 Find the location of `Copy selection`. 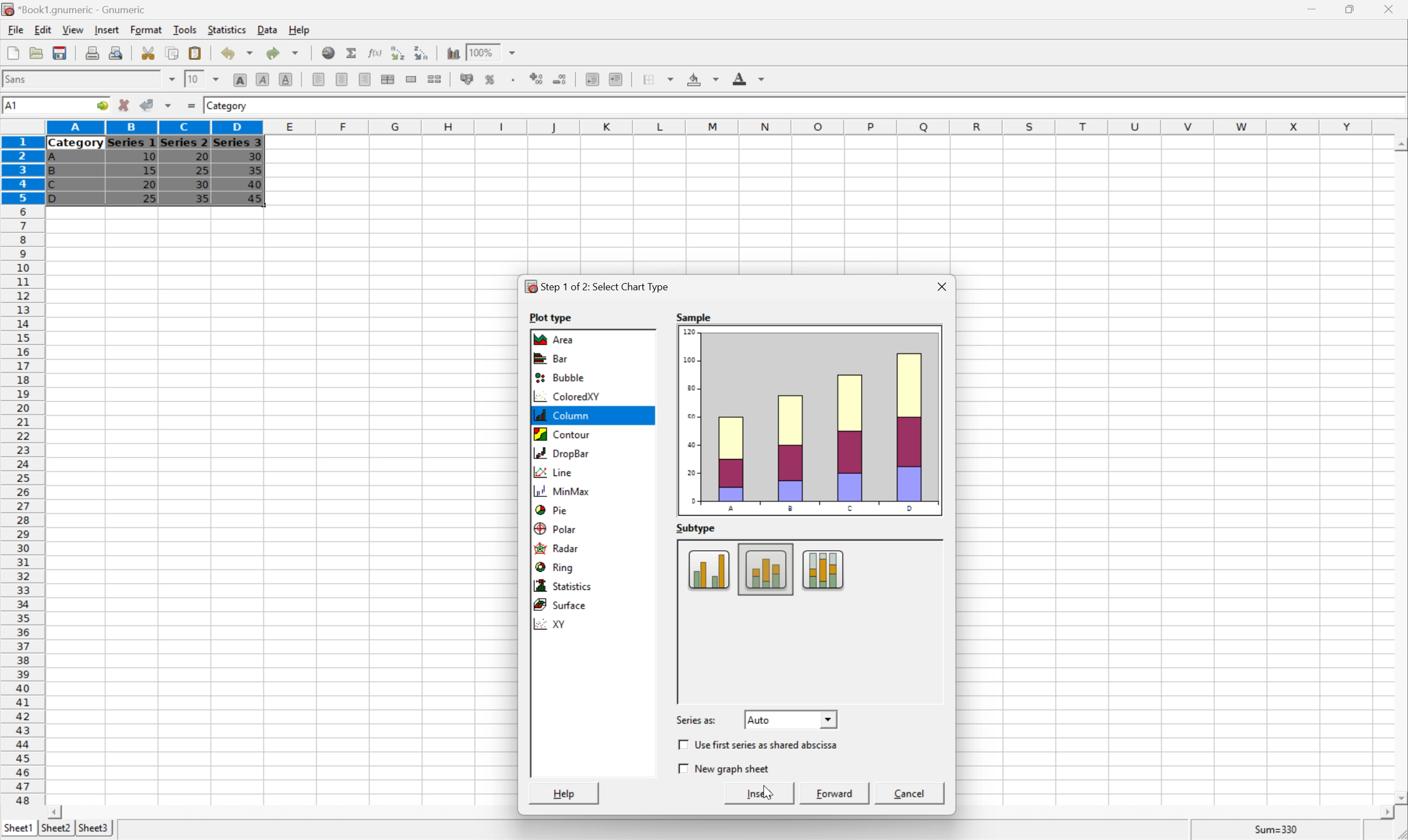

Copy selection is located at coordinates (173, 52).